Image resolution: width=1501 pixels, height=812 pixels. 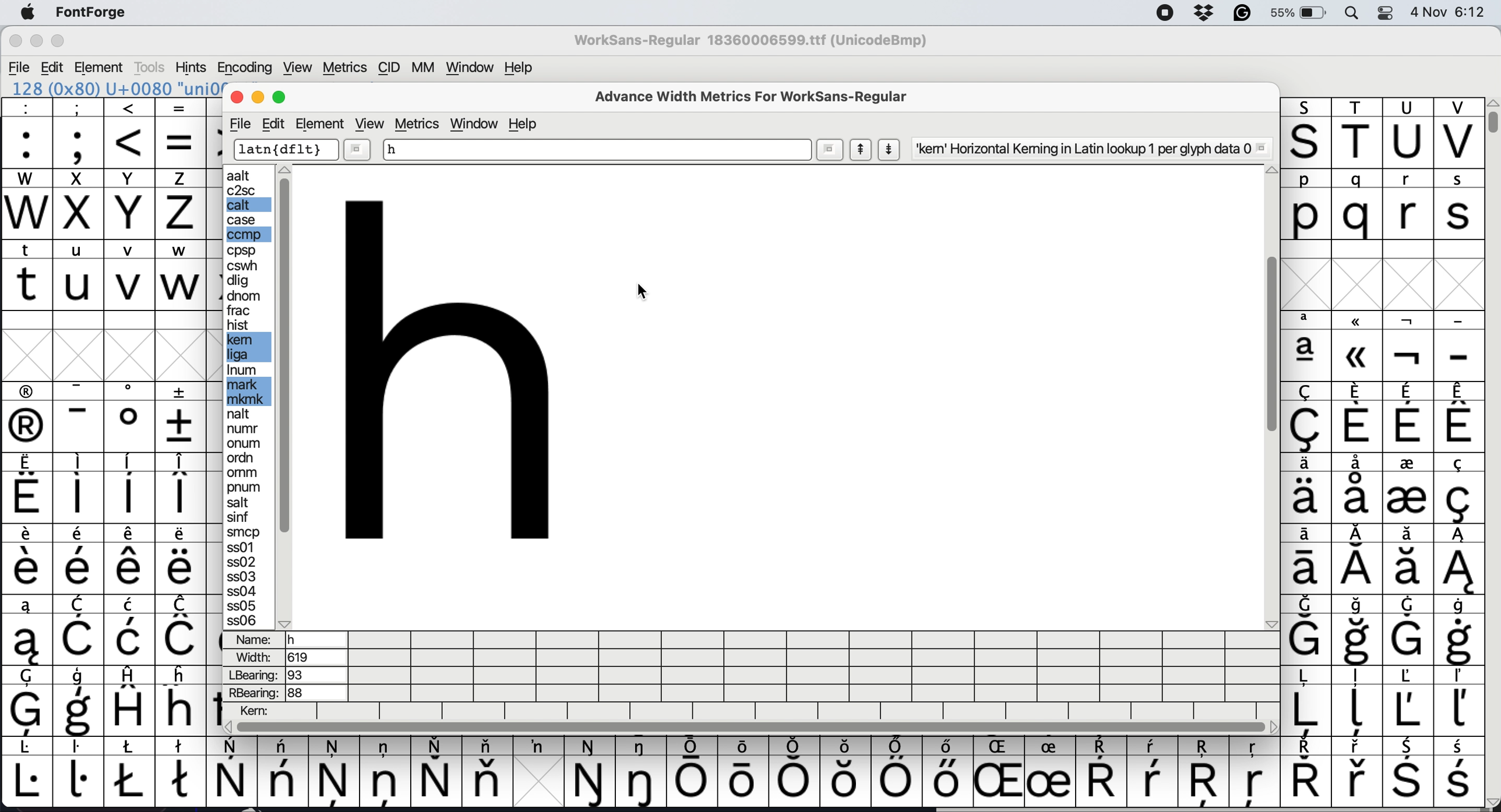 I want to click on File, so click(x=20, y=65).